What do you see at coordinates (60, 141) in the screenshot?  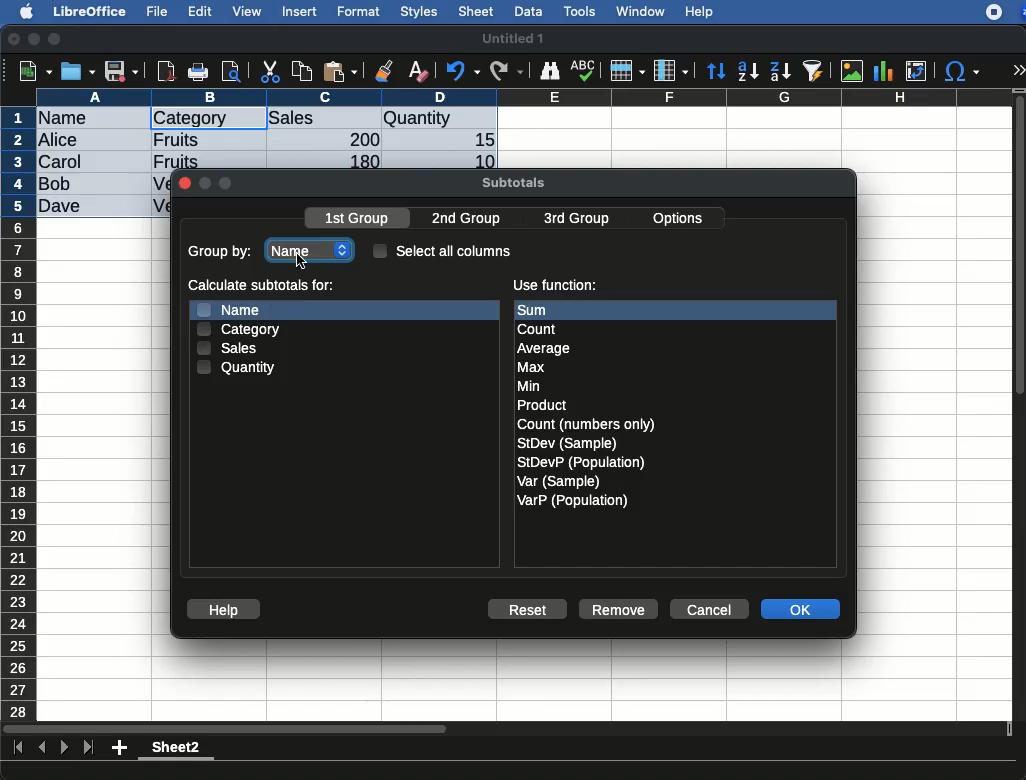 I see `Alice` at bounding box center [60, 141].